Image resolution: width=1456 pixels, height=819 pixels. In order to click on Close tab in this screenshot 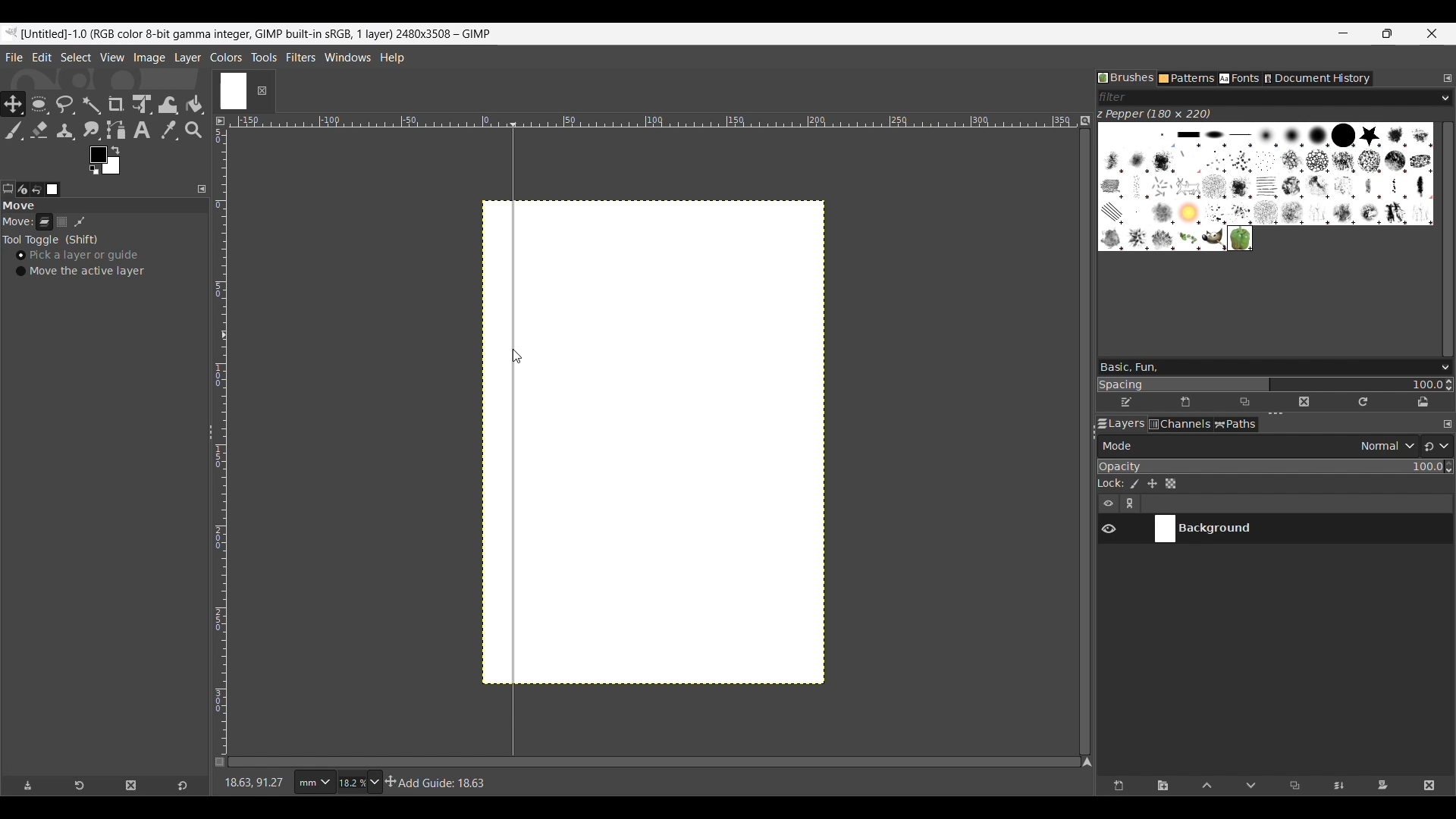, I will do `click(261, 91)`.